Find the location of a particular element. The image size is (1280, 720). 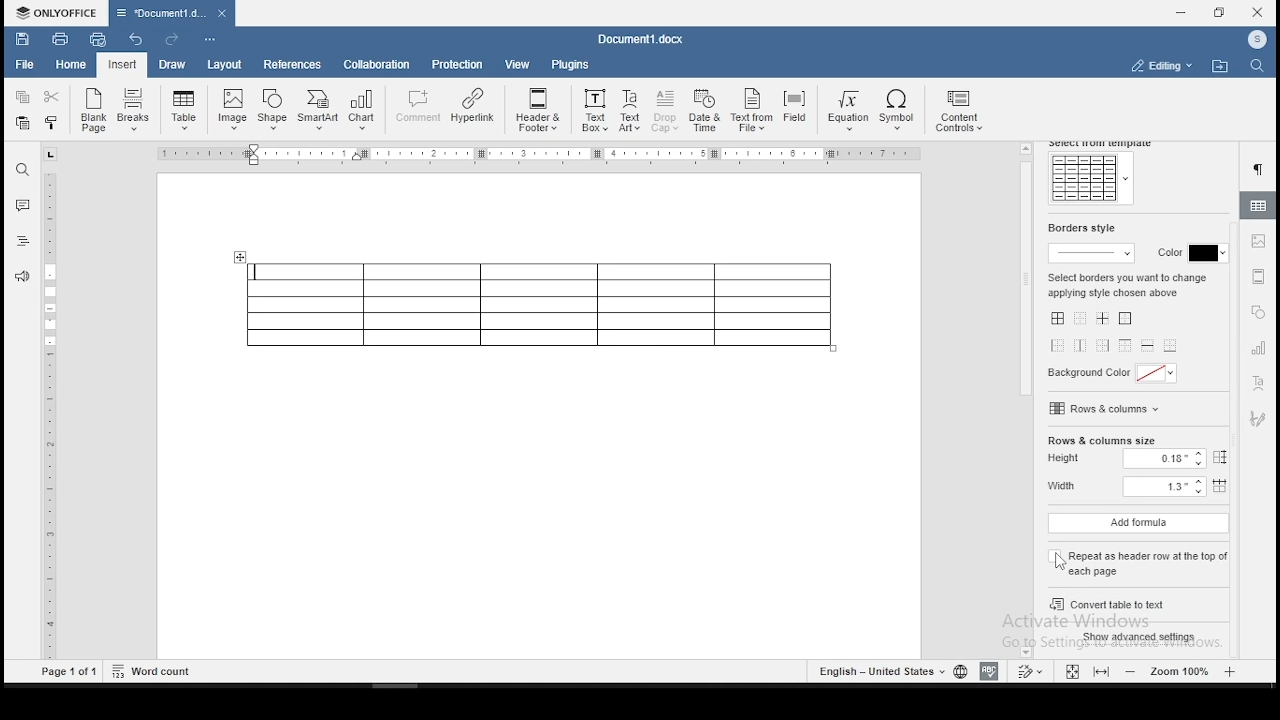

Date & Time is located at coordinates (706, 111).